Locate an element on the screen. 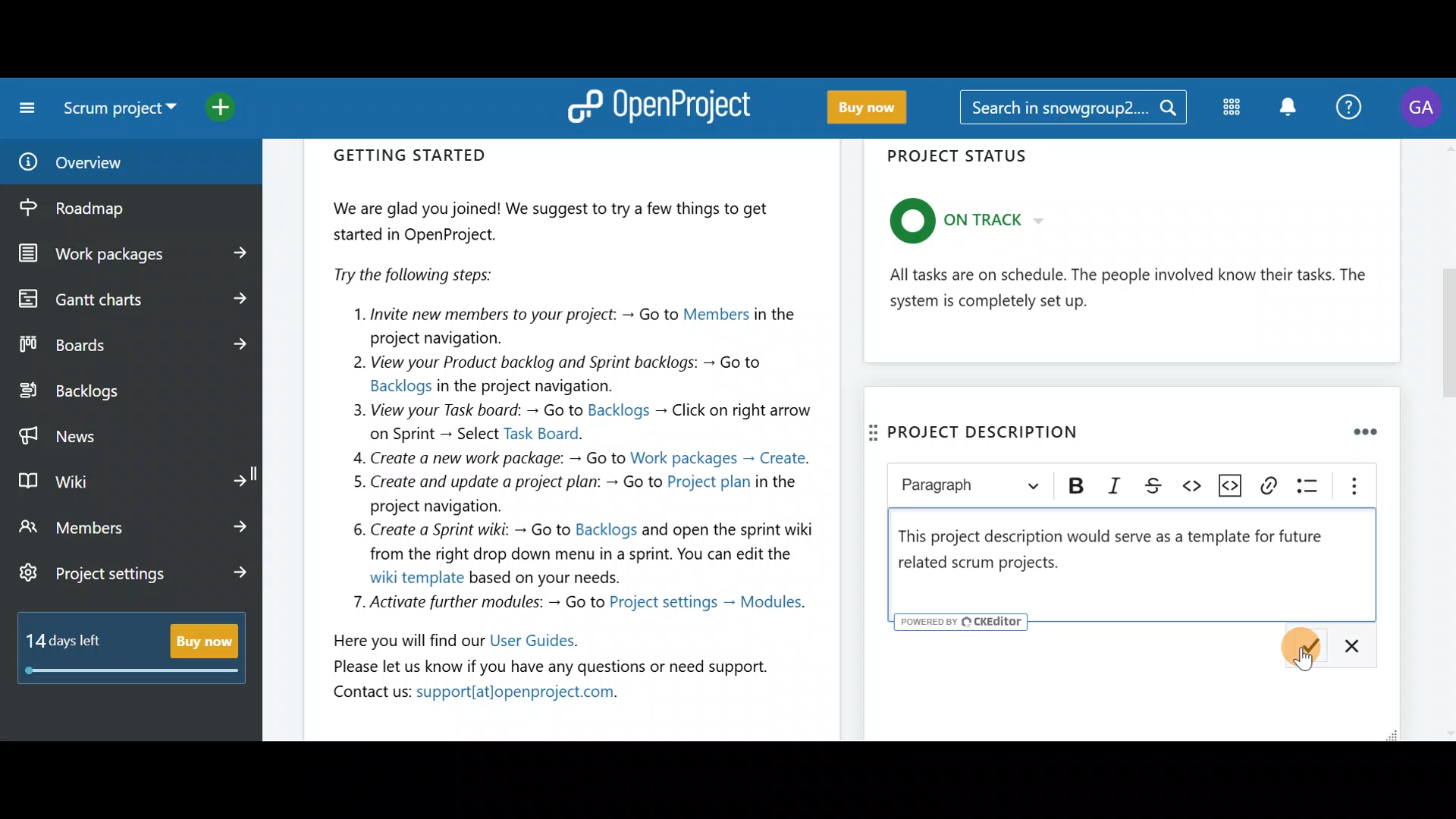  Account name is located at coordinates (1424, 108).